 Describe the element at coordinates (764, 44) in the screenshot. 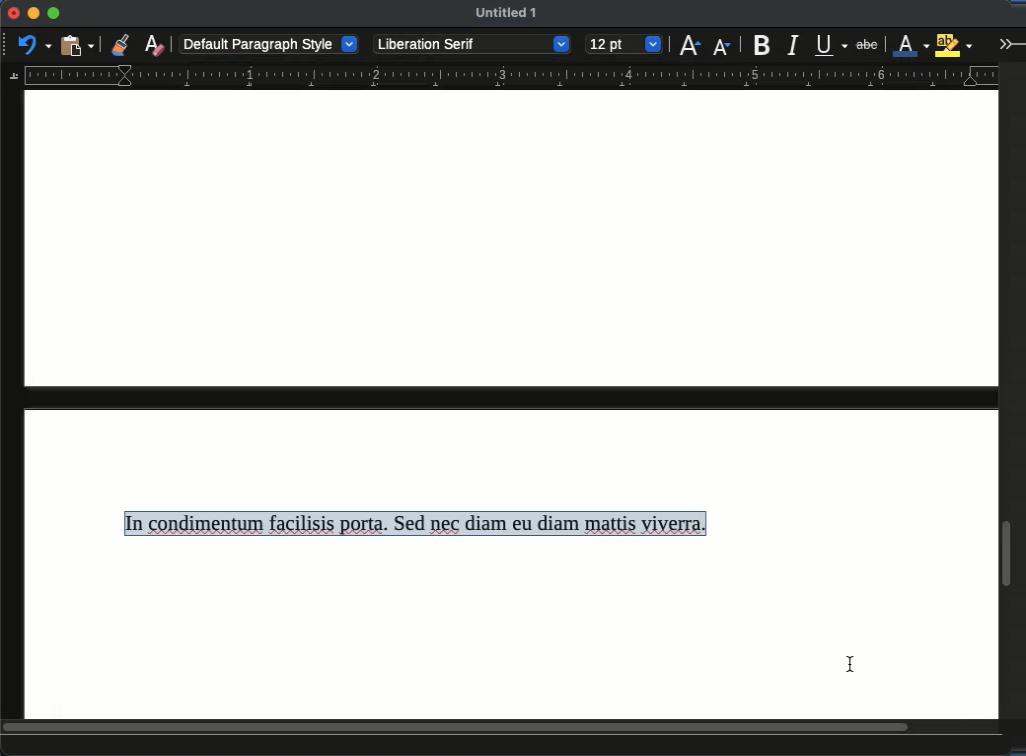

I see `bold` at that location.